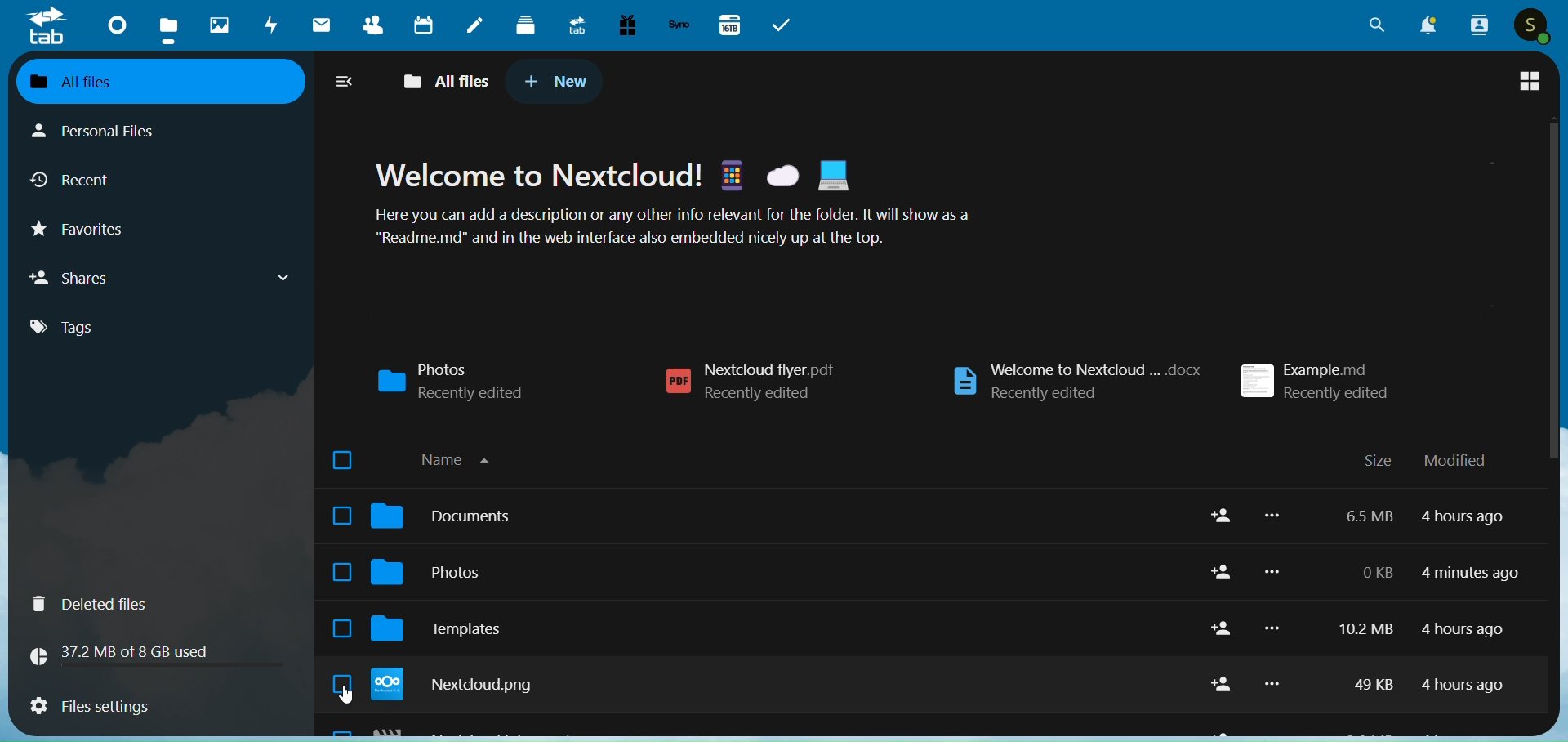 This screenshot has width=1568, height=742. I want to click on Welcome to Nextcloud ... docx Recently edited, so click(1076, 382).